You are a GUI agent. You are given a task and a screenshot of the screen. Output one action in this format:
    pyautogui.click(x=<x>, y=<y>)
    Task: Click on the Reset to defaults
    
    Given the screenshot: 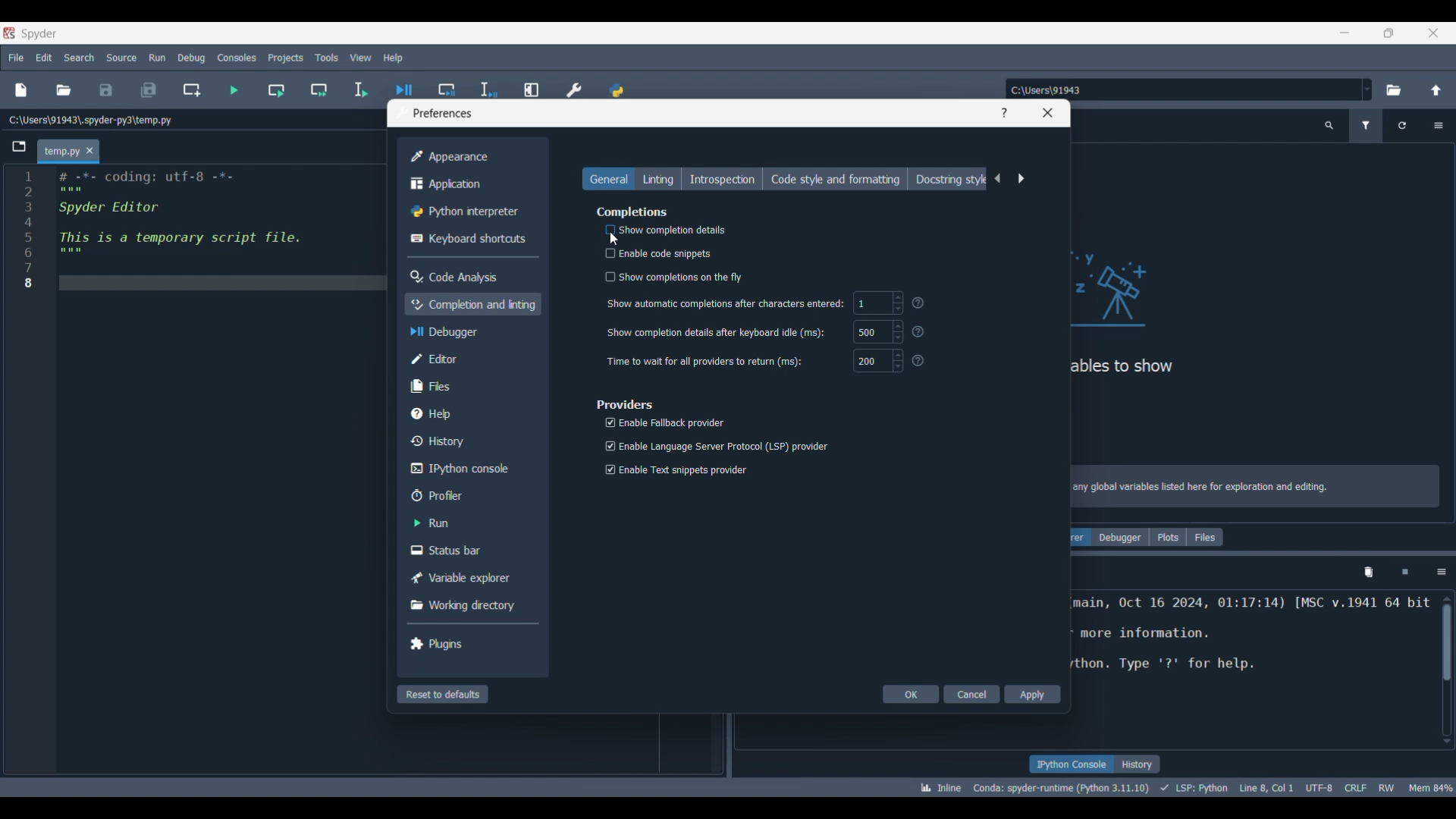 What is the action you would take?
    pyautogui.click(x=443, y=694)
    